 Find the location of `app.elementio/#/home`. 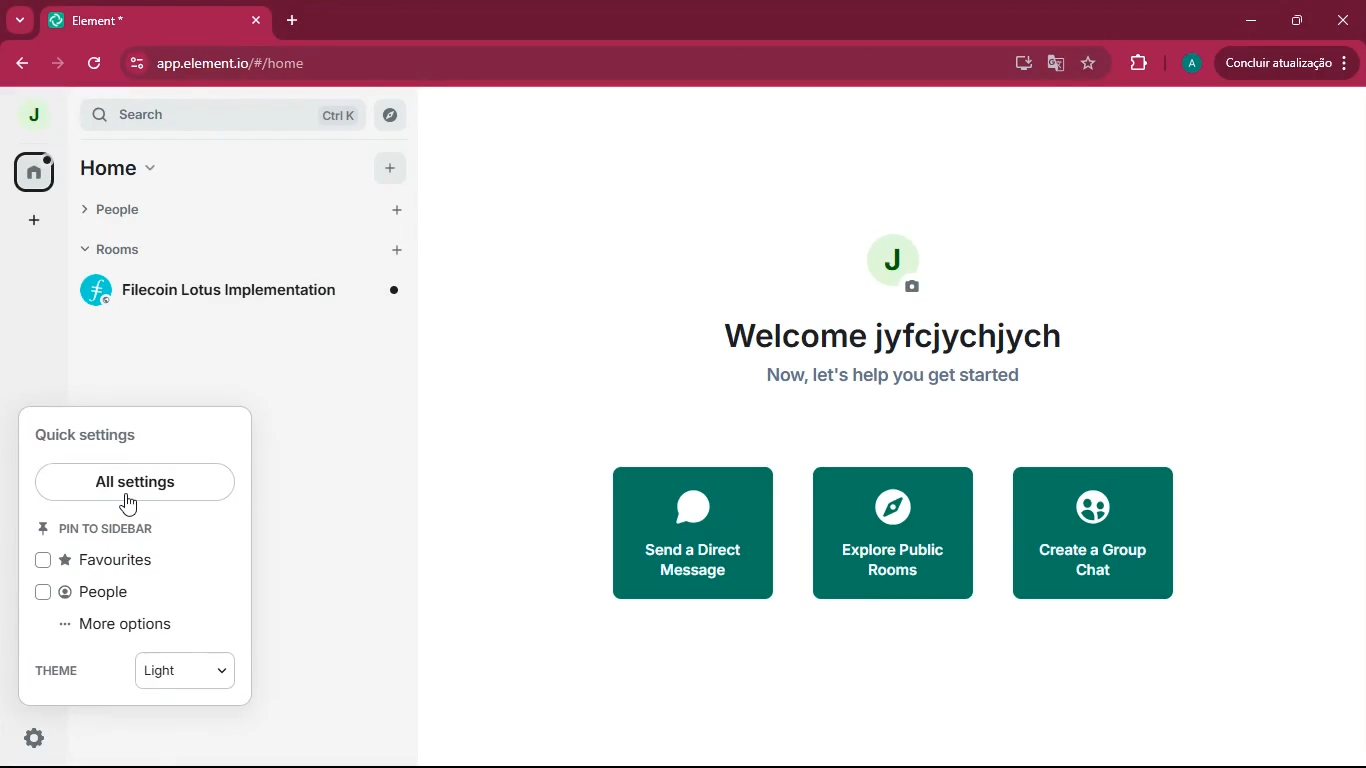

app.elementio/#/home is located at coordinates (371, 63).